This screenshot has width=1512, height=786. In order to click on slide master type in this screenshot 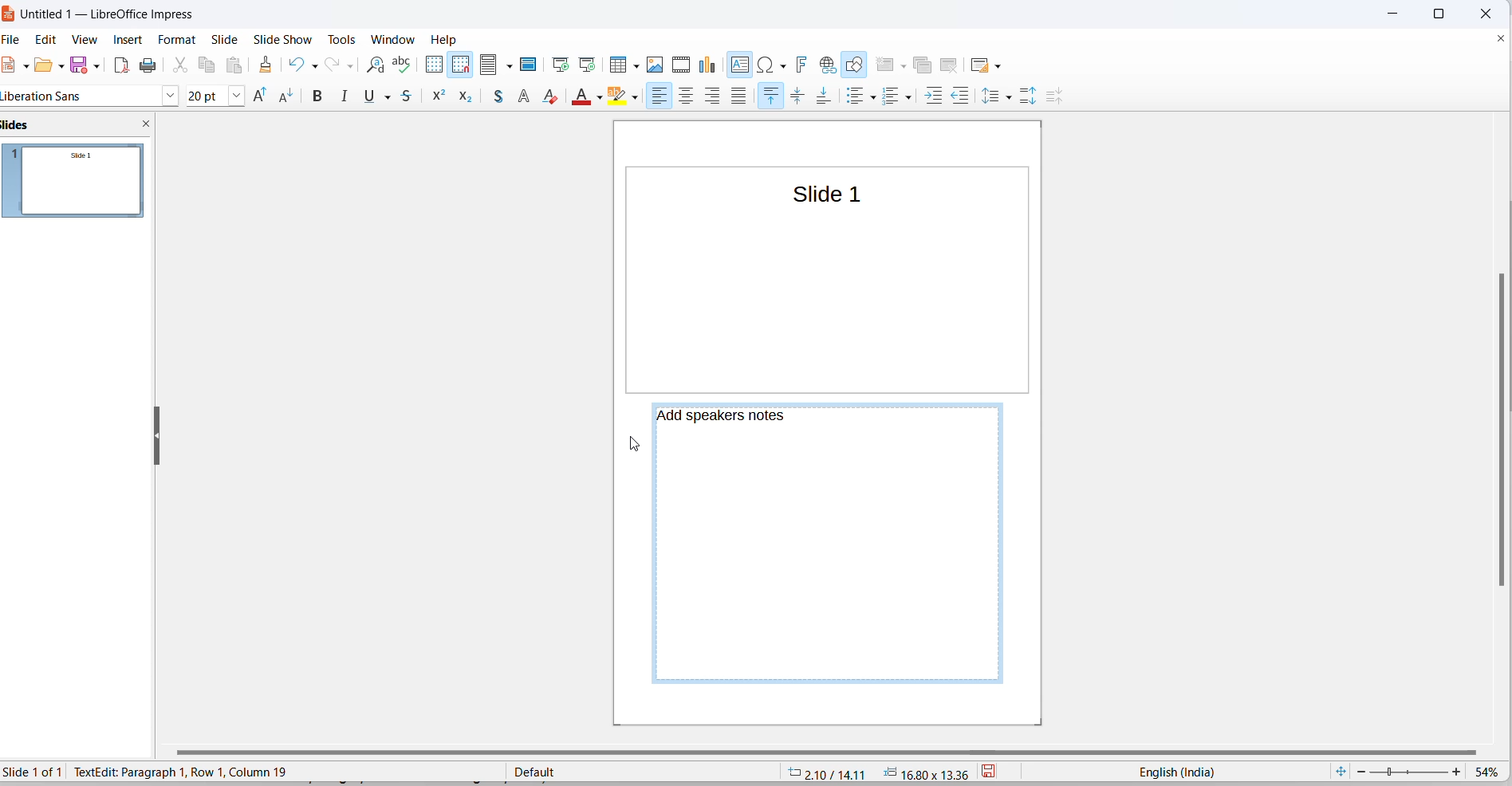, I will do `click(642, 771)`.